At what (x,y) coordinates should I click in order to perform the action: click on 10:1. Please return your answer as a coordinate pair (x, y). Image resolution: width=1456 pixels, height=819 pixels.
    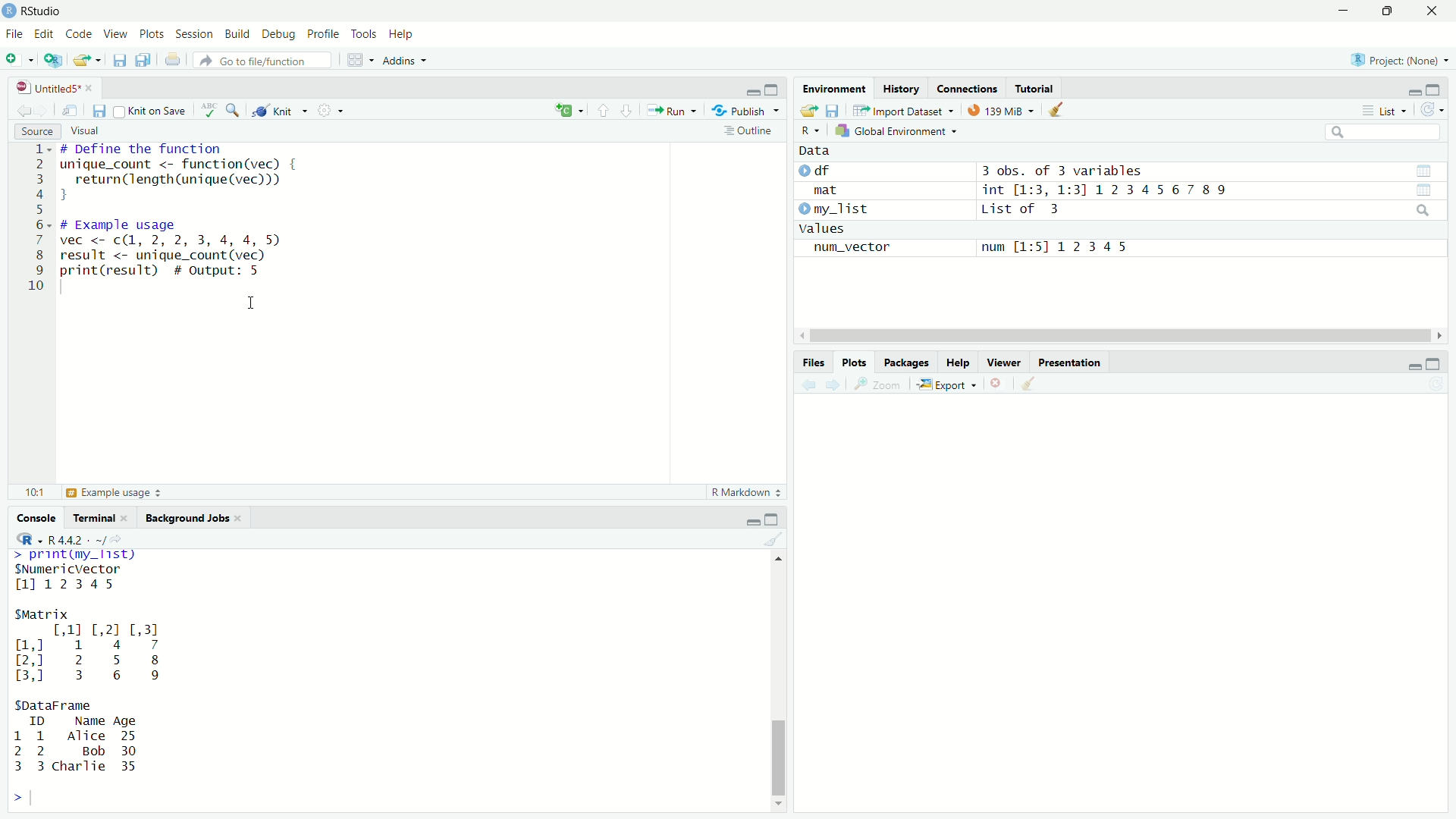
    Looking at the image, I should click on (33, 493).